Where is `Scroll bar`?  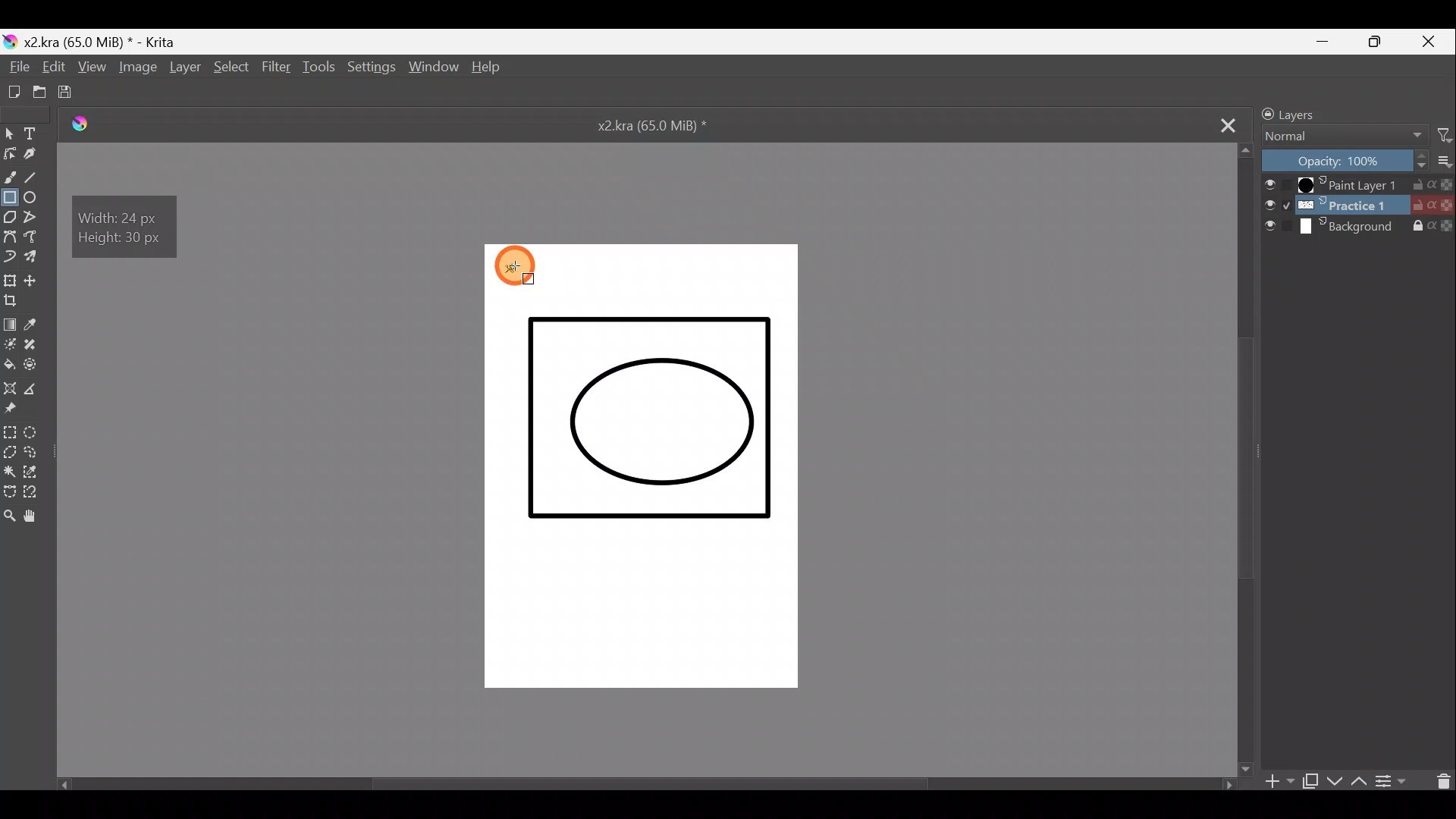 Scroll bar is located at coordinates (1246, 457).